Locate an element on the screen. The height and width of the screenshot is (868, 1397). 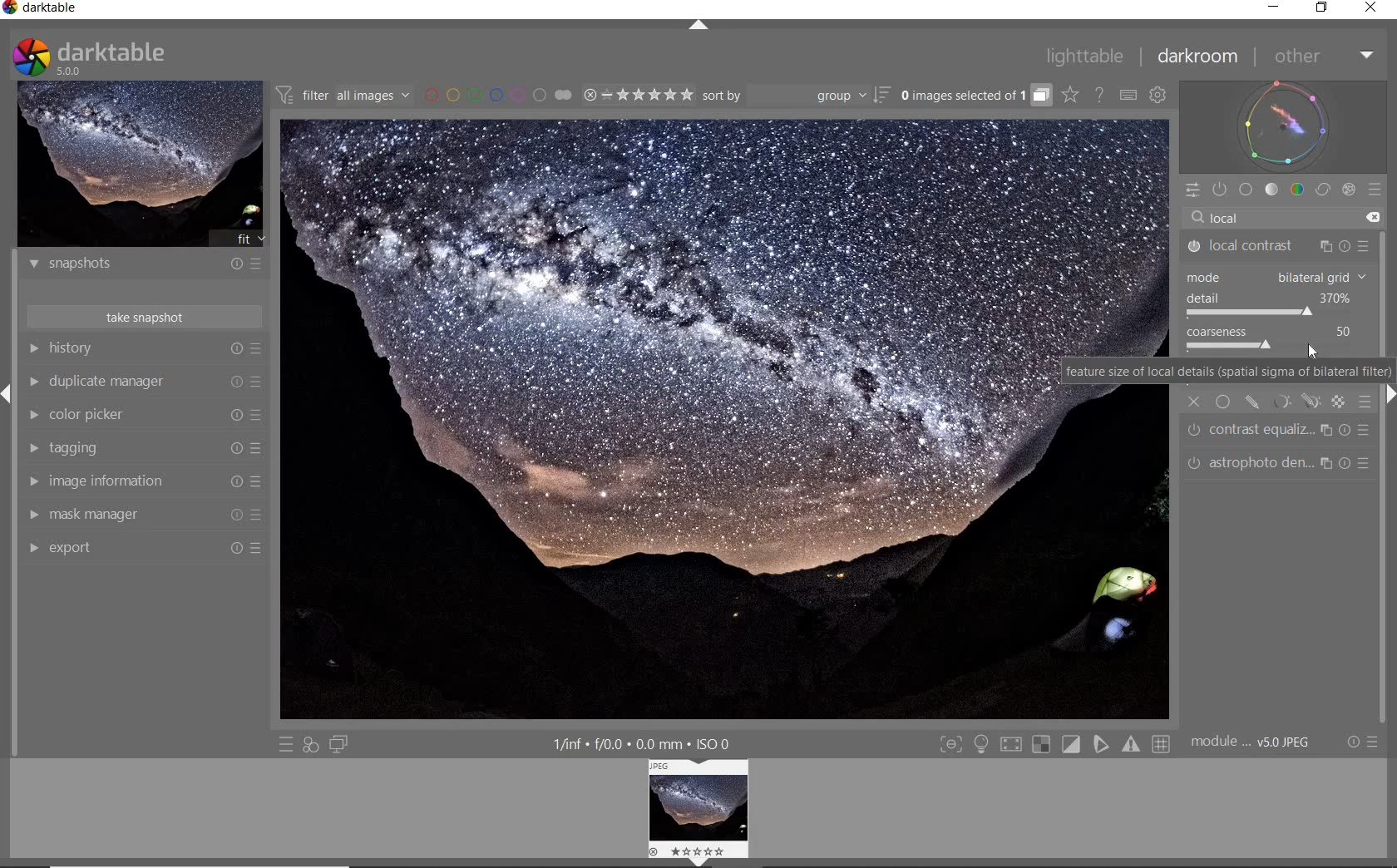
IMAGE PREVIEW is located at coordinates (702, 806).